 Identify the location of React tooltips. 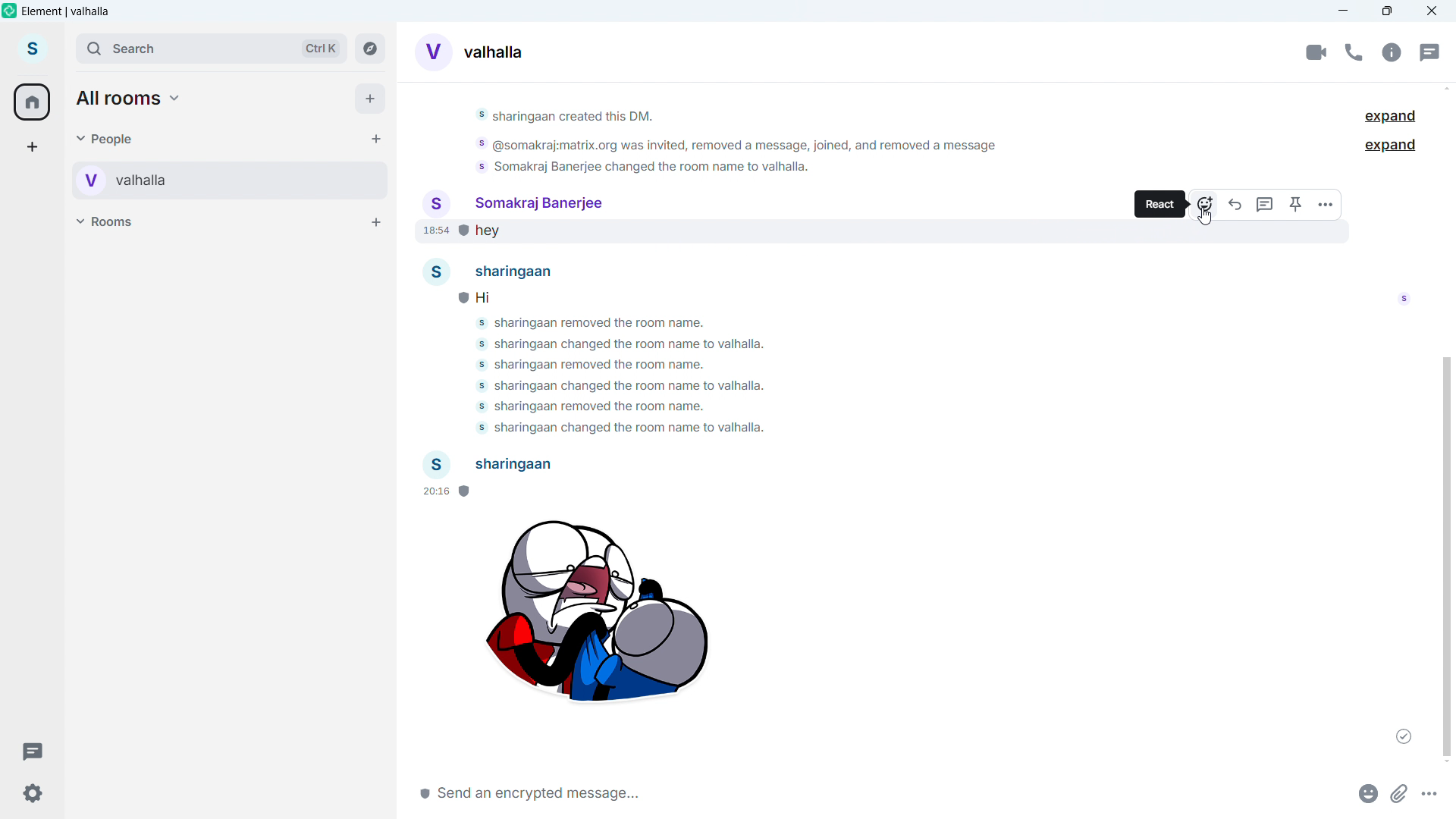
(1161, 205).